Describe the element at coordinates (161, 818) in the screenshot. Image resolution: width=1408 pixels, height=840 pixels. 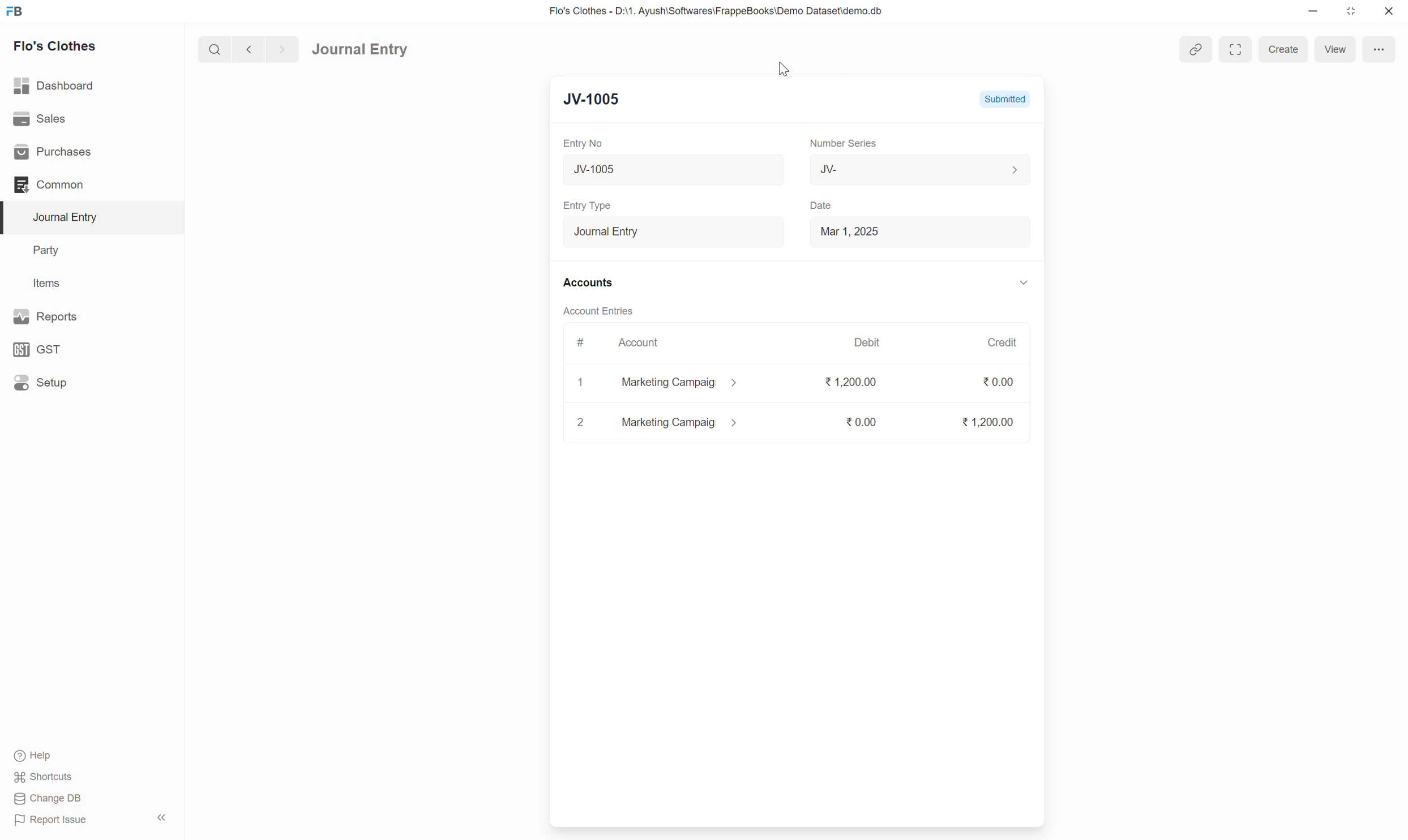
I see `<<` at that location.